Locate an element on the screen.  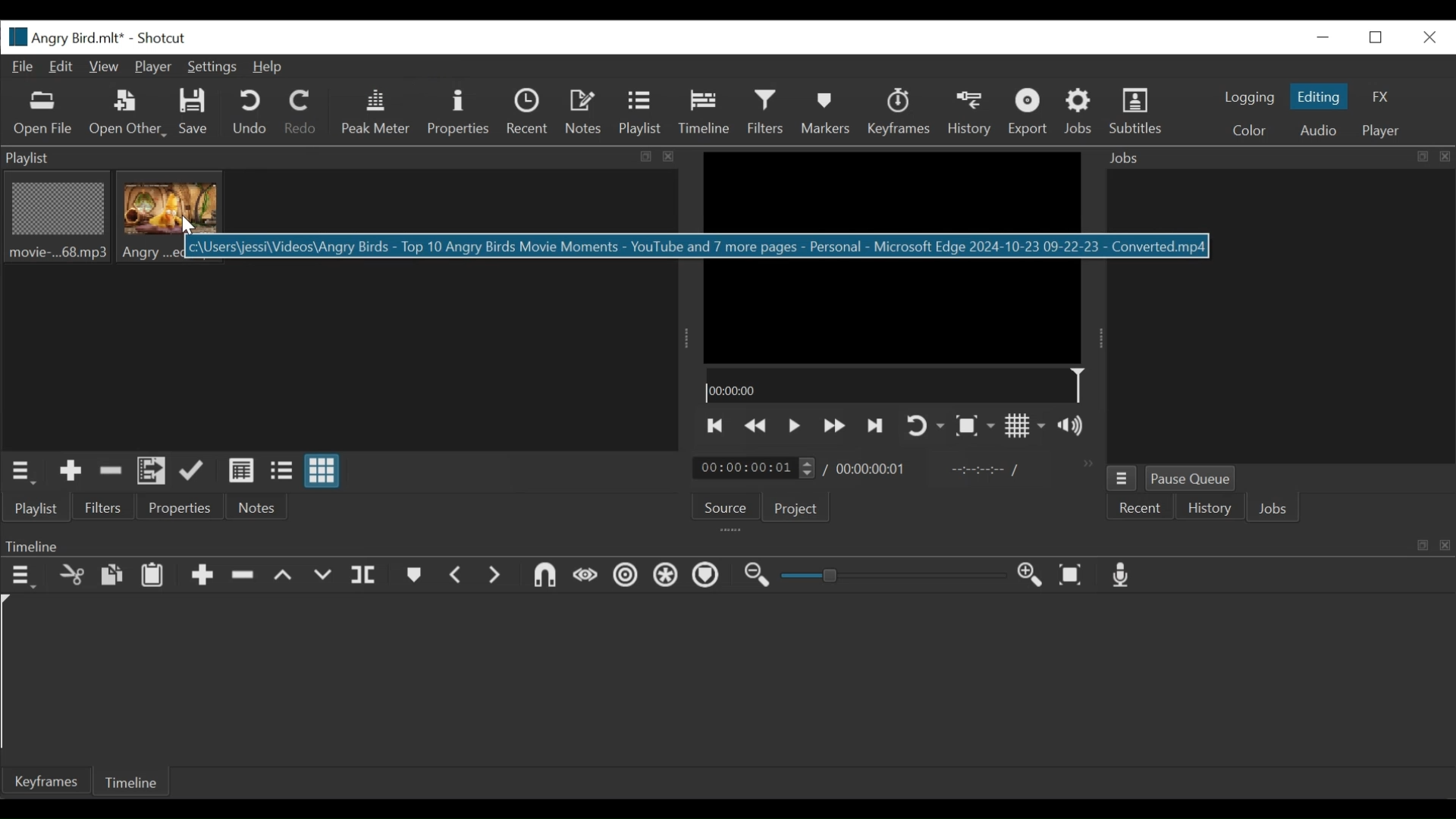
View is located at coordinates (105, 67).